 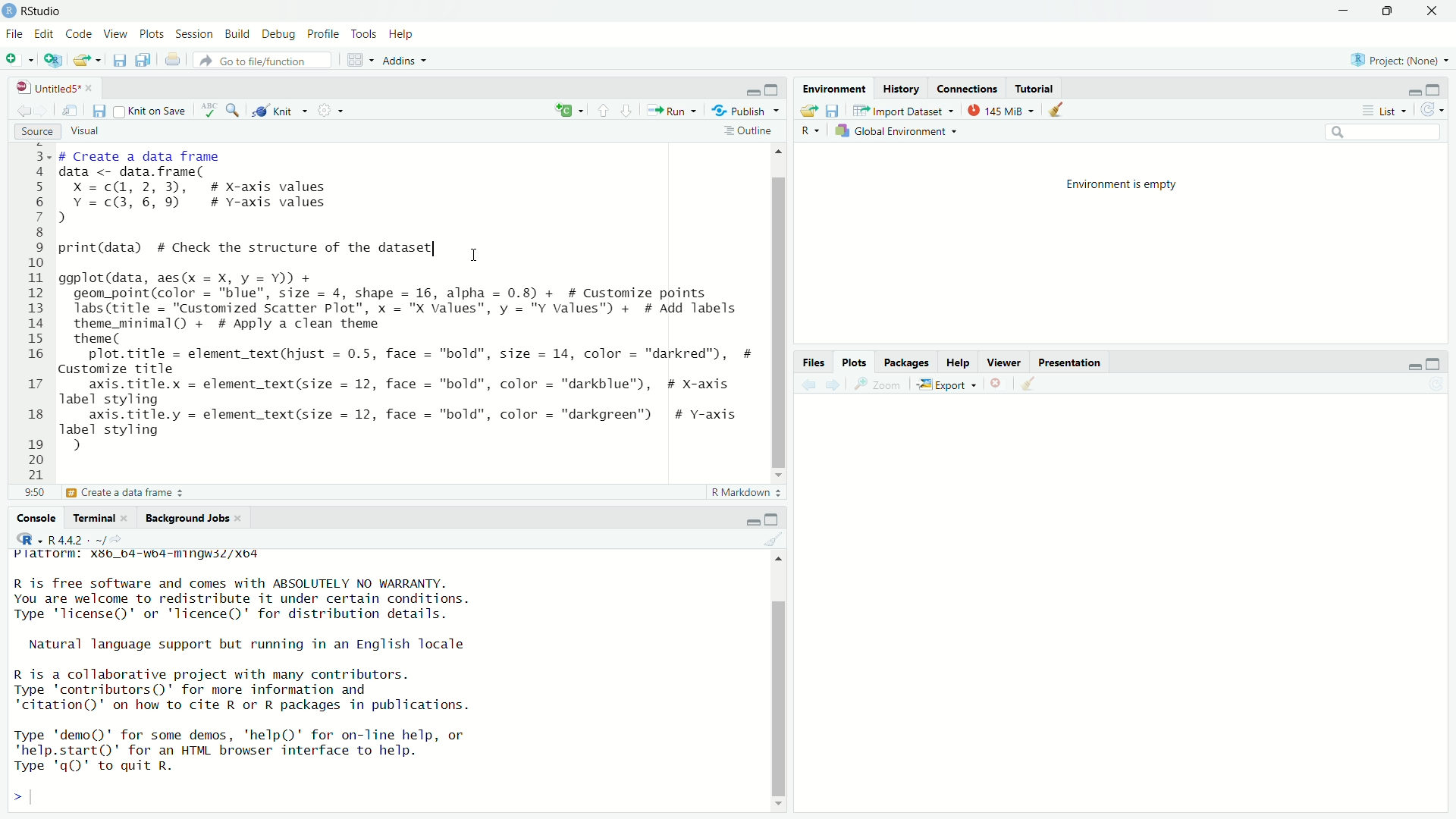 What do you see at coordinates (670, 111) in the screenshot?
I see `Run` at bounding box center [670, 111].